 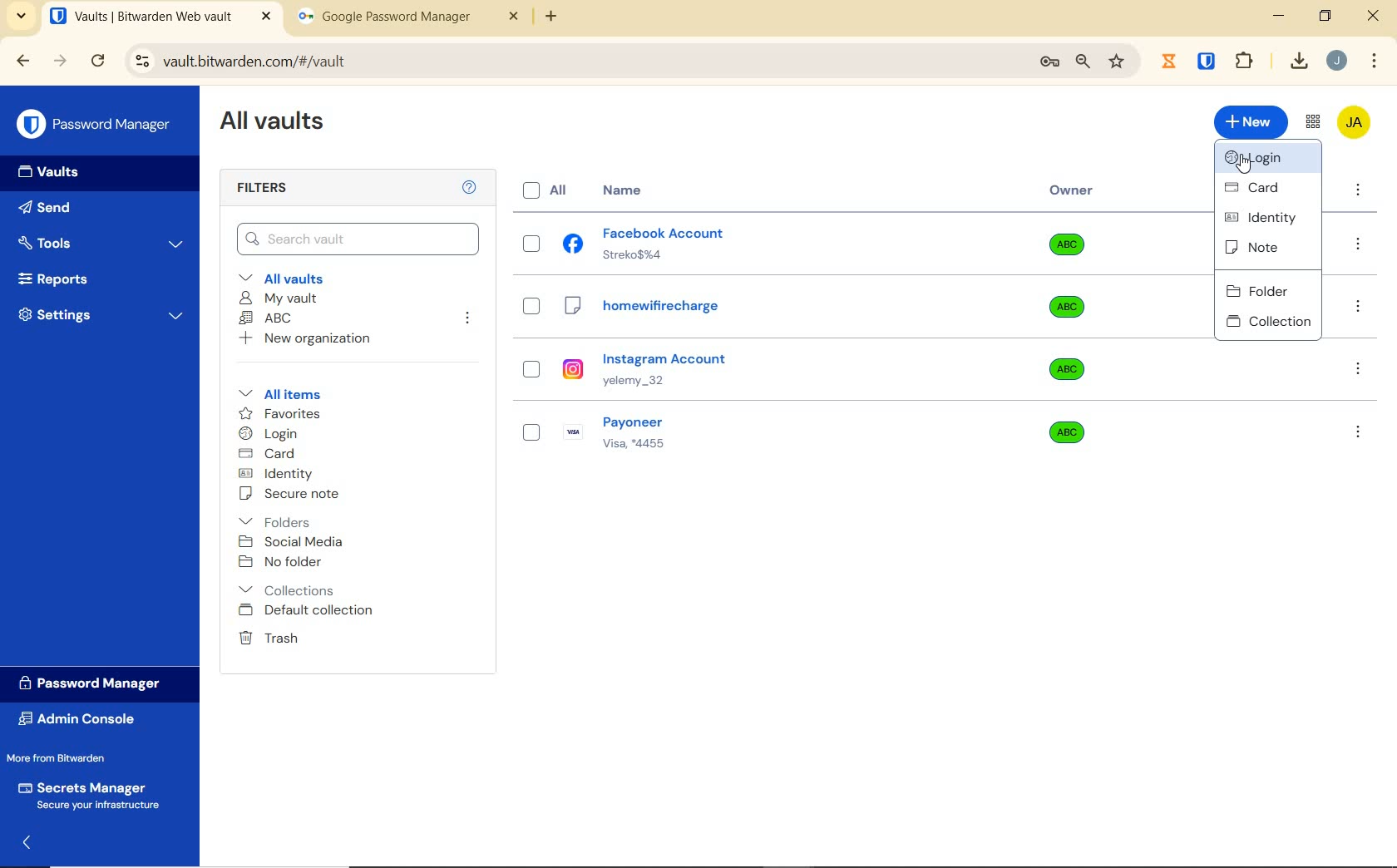 What do you see at coordinates (279, 298) in the screenshot?
I see `My Vault` at bounding box center [279, 298].